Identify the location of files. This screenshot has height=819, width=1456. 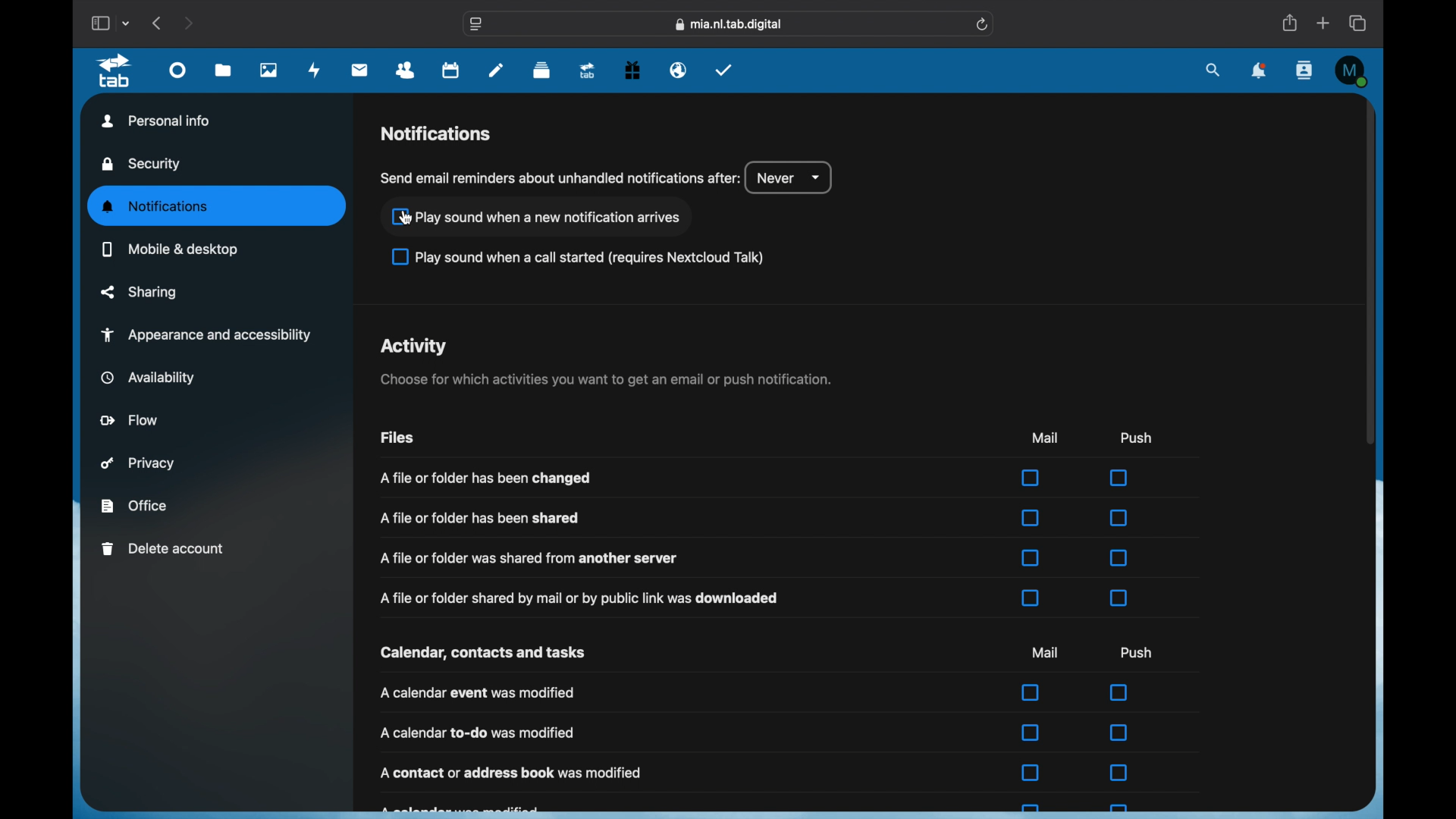
(395, 437).